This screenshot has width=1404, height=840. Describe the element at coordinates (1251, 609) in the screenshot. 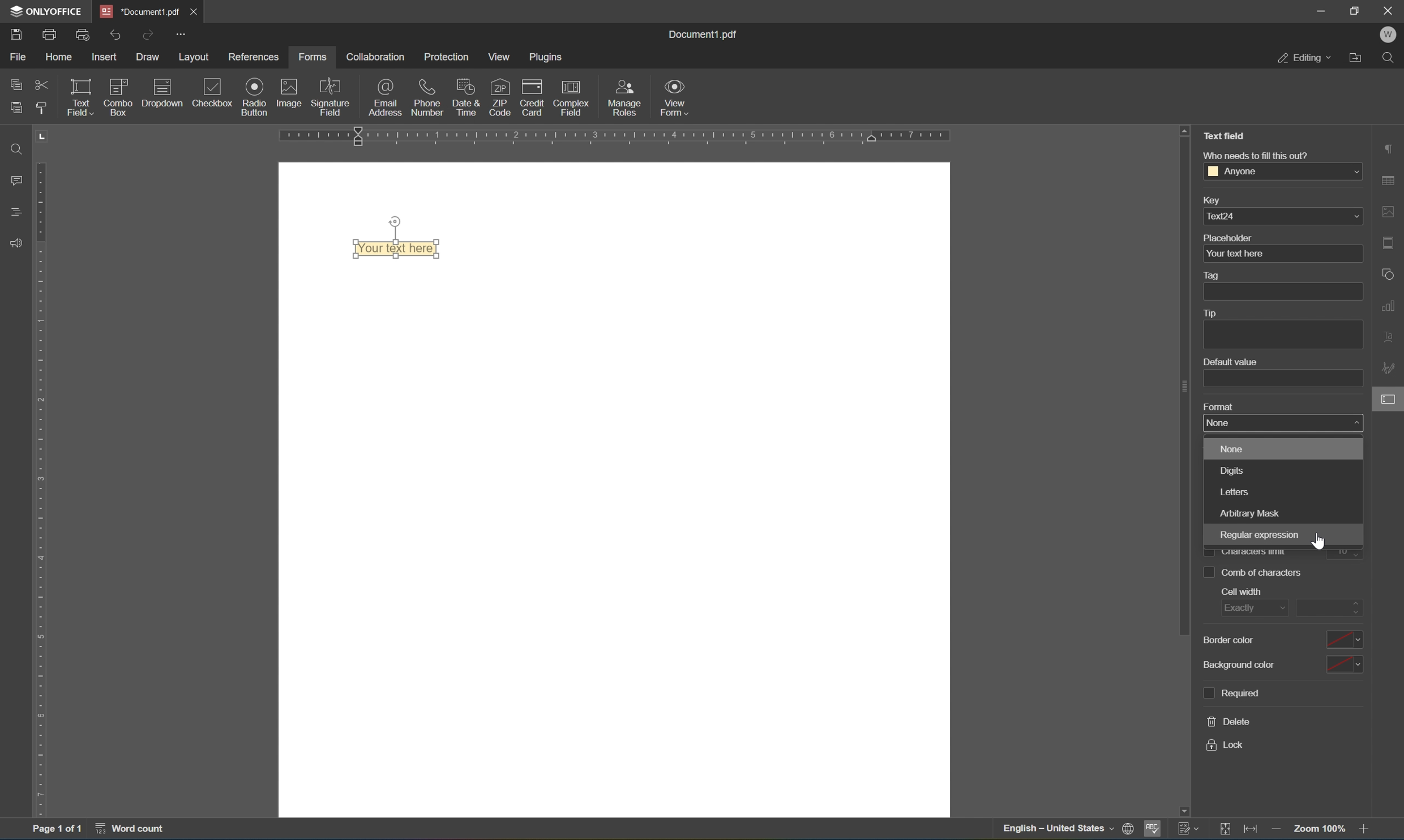

I see `exactly` at that location.